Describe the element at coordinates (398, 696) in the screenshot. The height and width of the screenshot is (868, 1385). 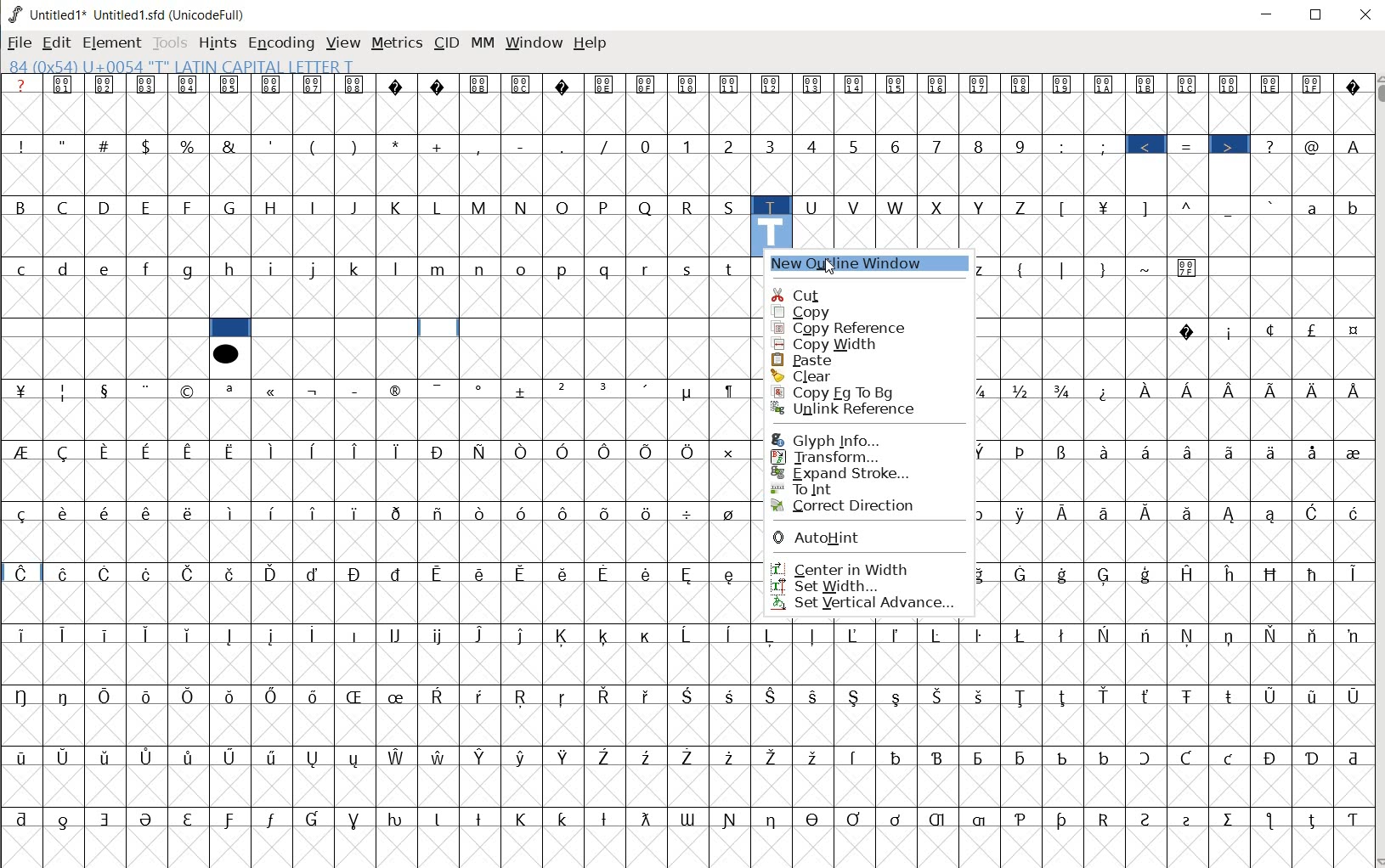
I see `Symbol` at that location.